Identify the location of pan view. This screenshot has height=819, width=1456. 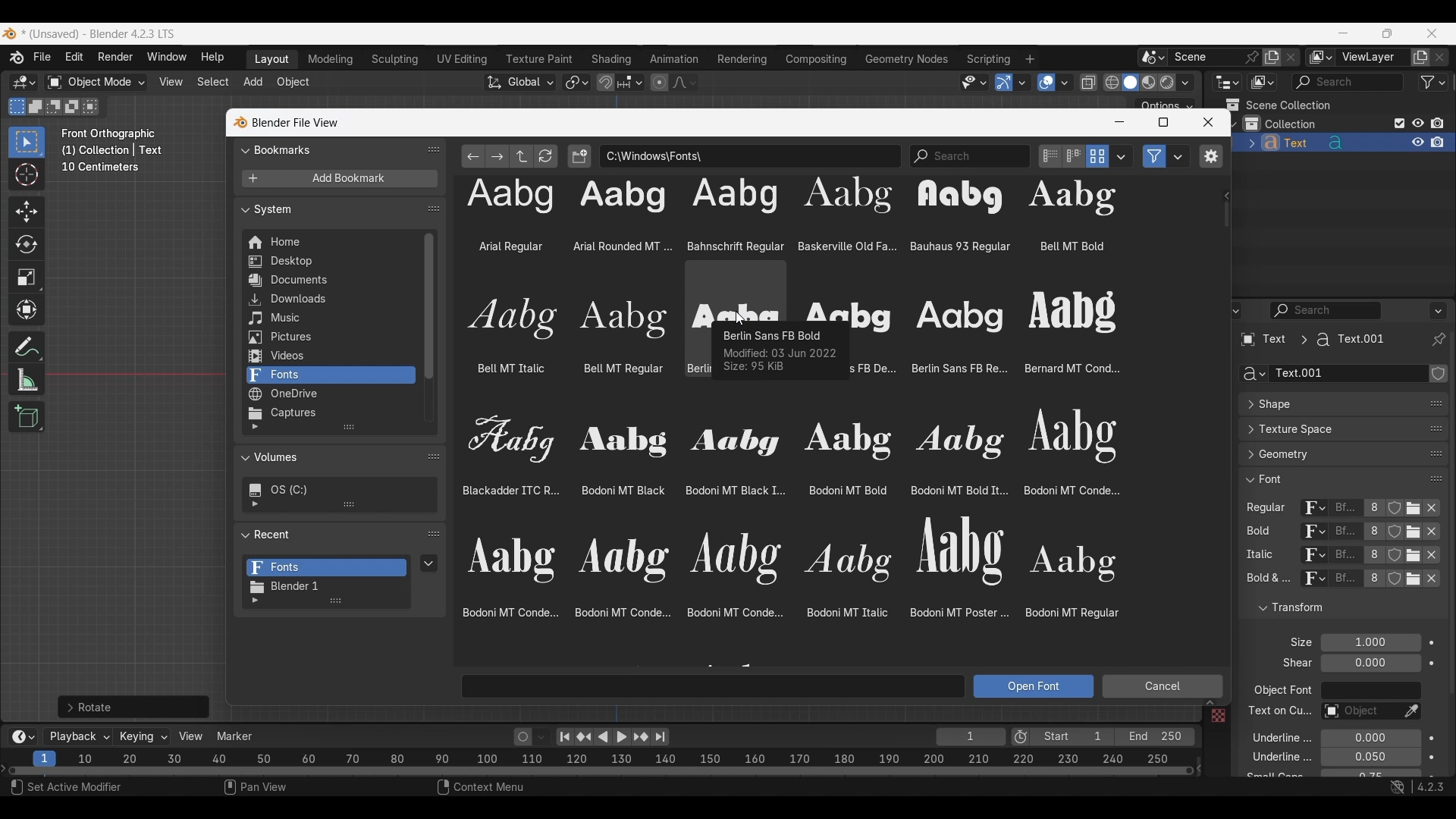
(273, 789).